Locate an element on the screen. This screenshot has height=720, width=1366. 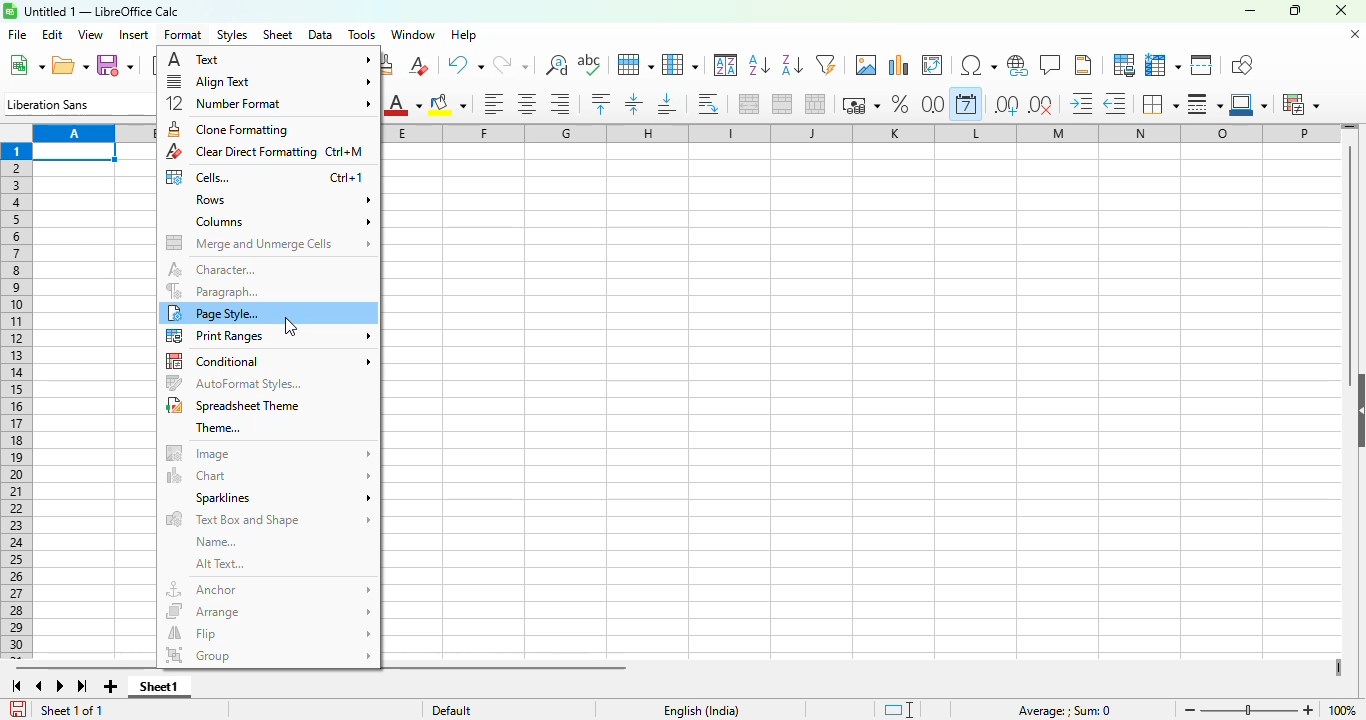
arrange is located at coordinates (269, 611).